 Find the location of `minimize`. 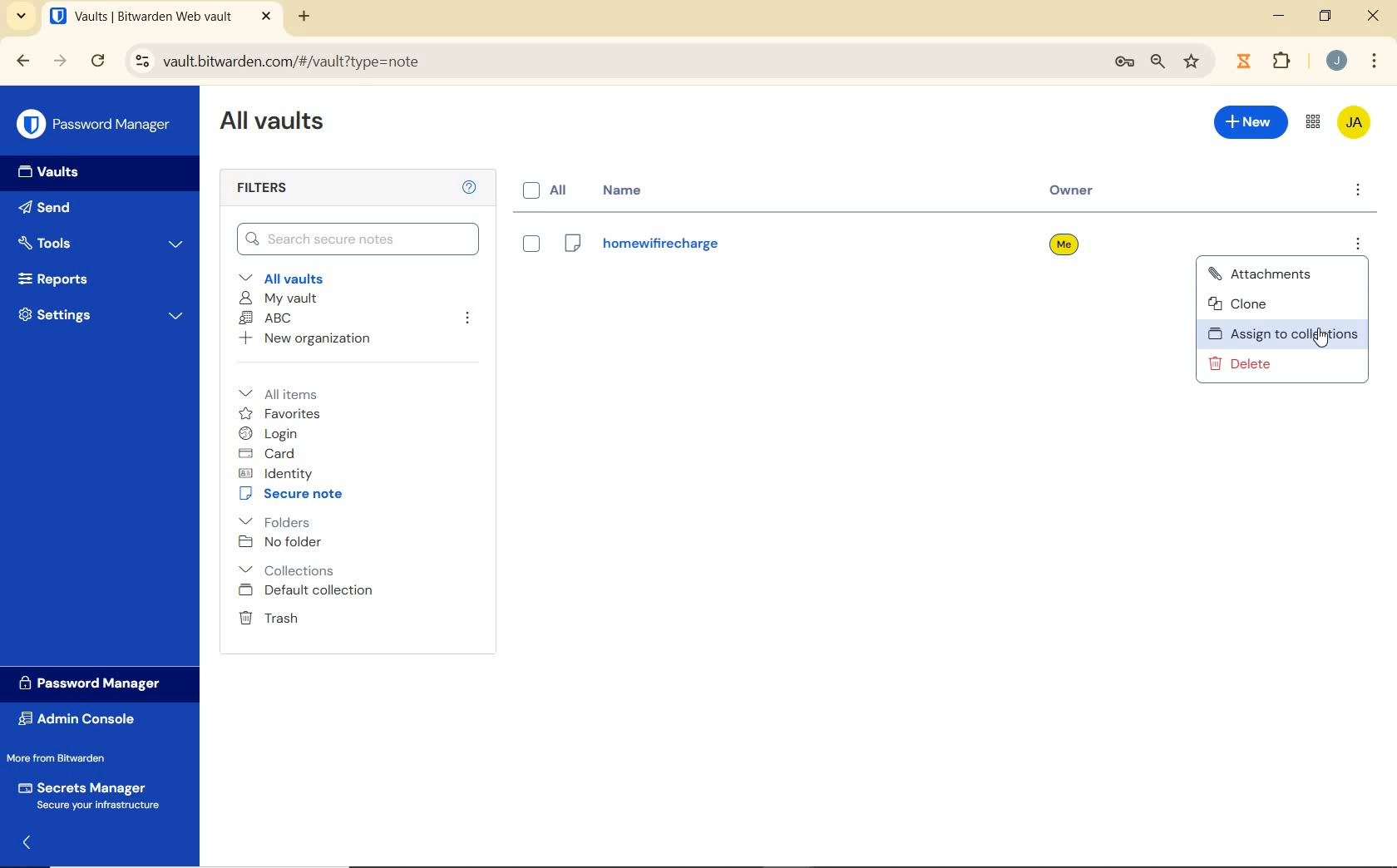

minimize is located at coordinates (1279, 15).